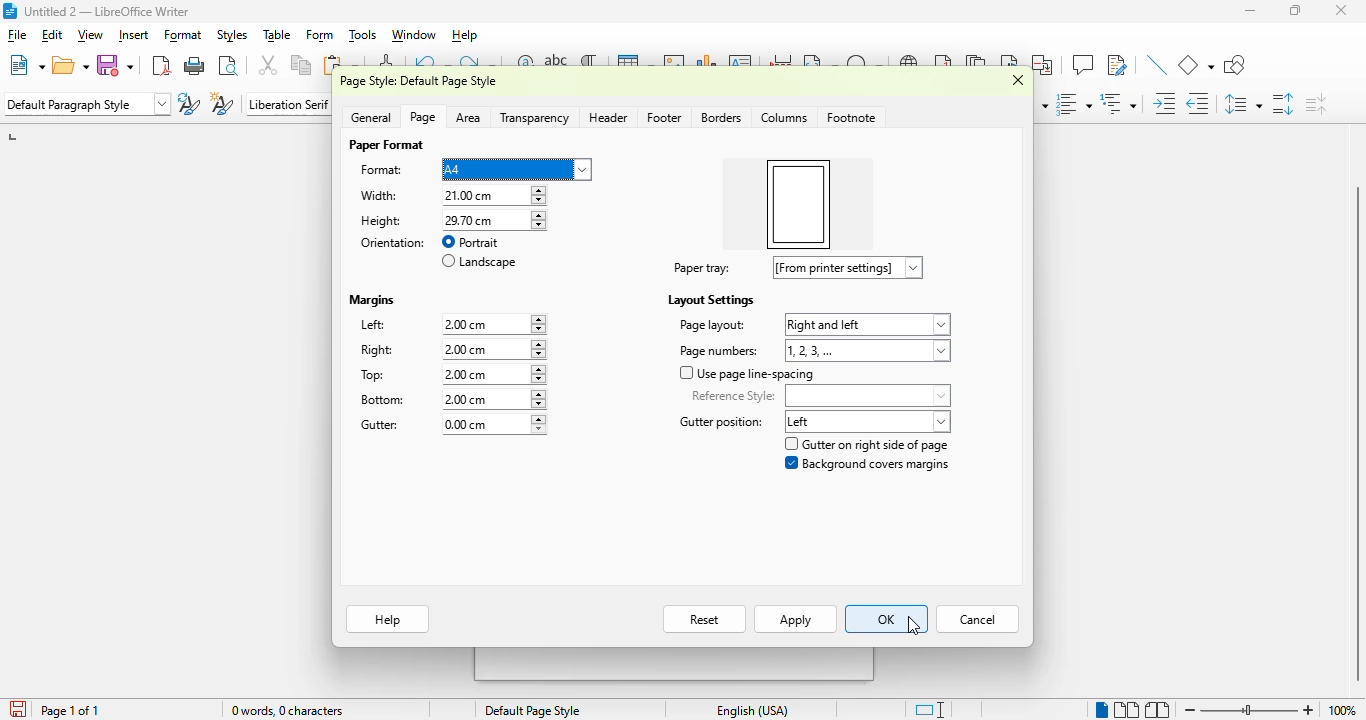 The width and height of the screenshot is (1366, 720). I want to click on portrait, so click(470, 242).